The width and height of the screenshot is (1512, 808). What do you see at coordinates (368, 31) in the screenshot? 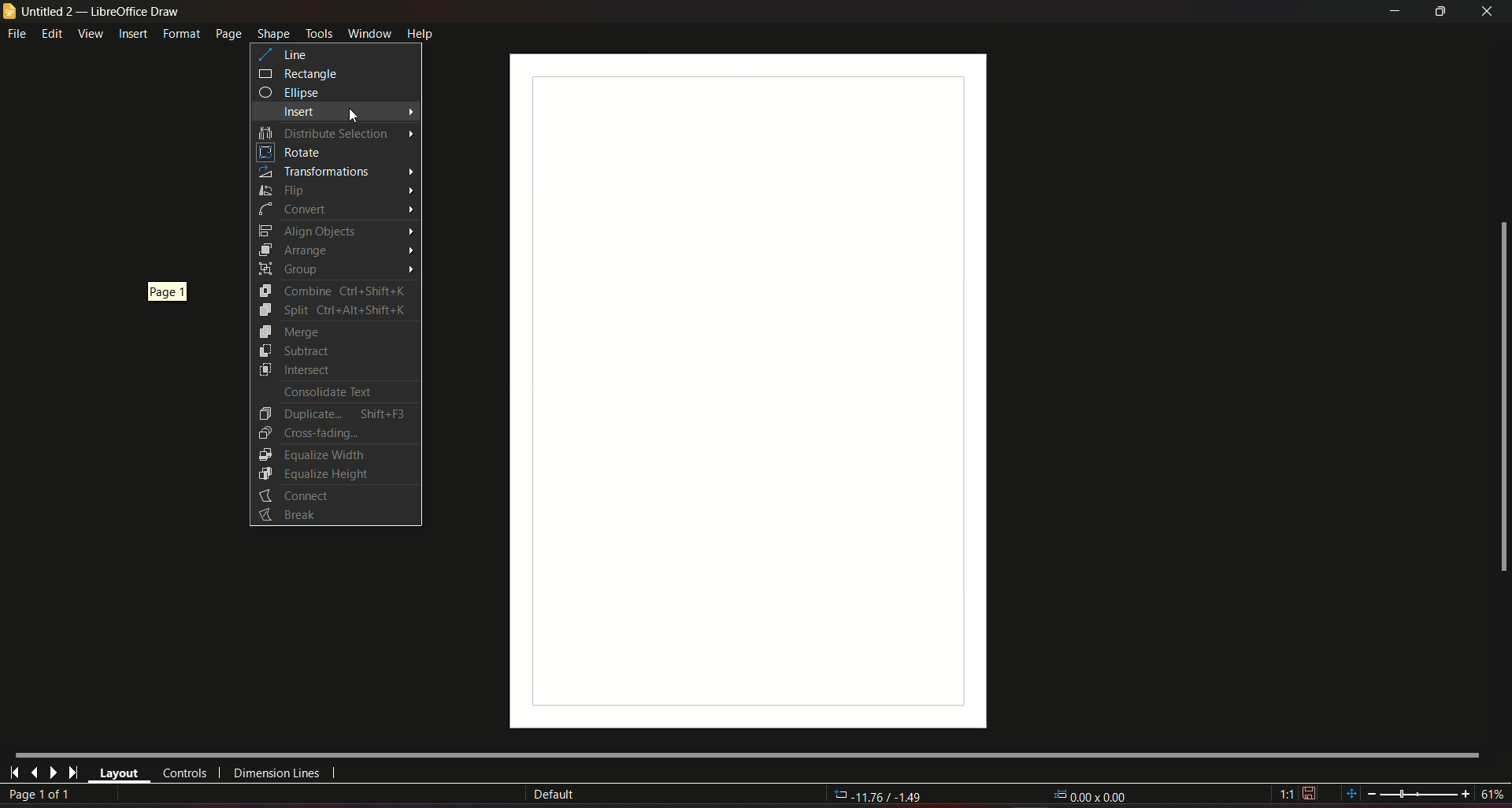
I see `window` at bounding box center [368, 31].